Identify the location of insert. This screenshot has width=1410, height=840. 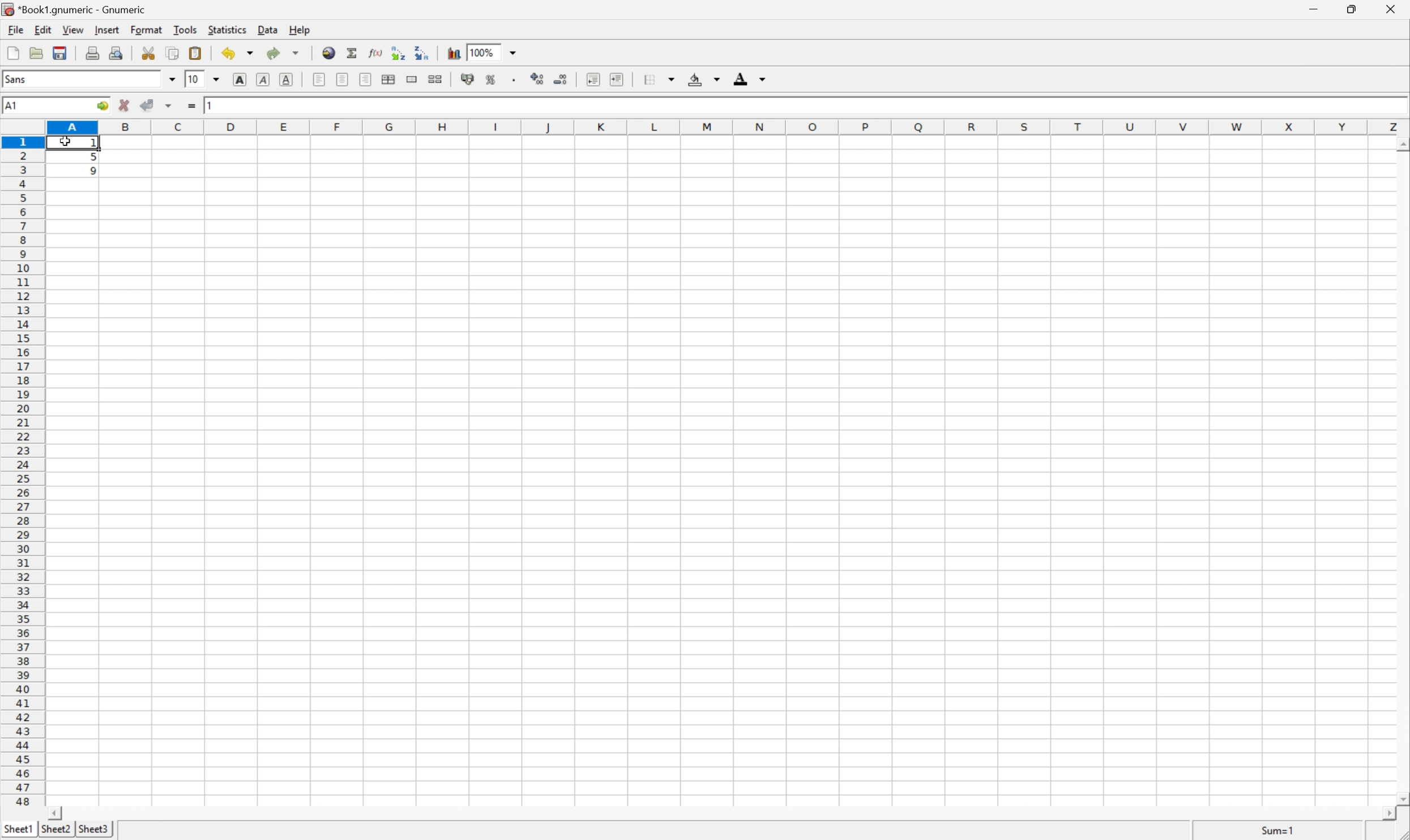
(106, 28).